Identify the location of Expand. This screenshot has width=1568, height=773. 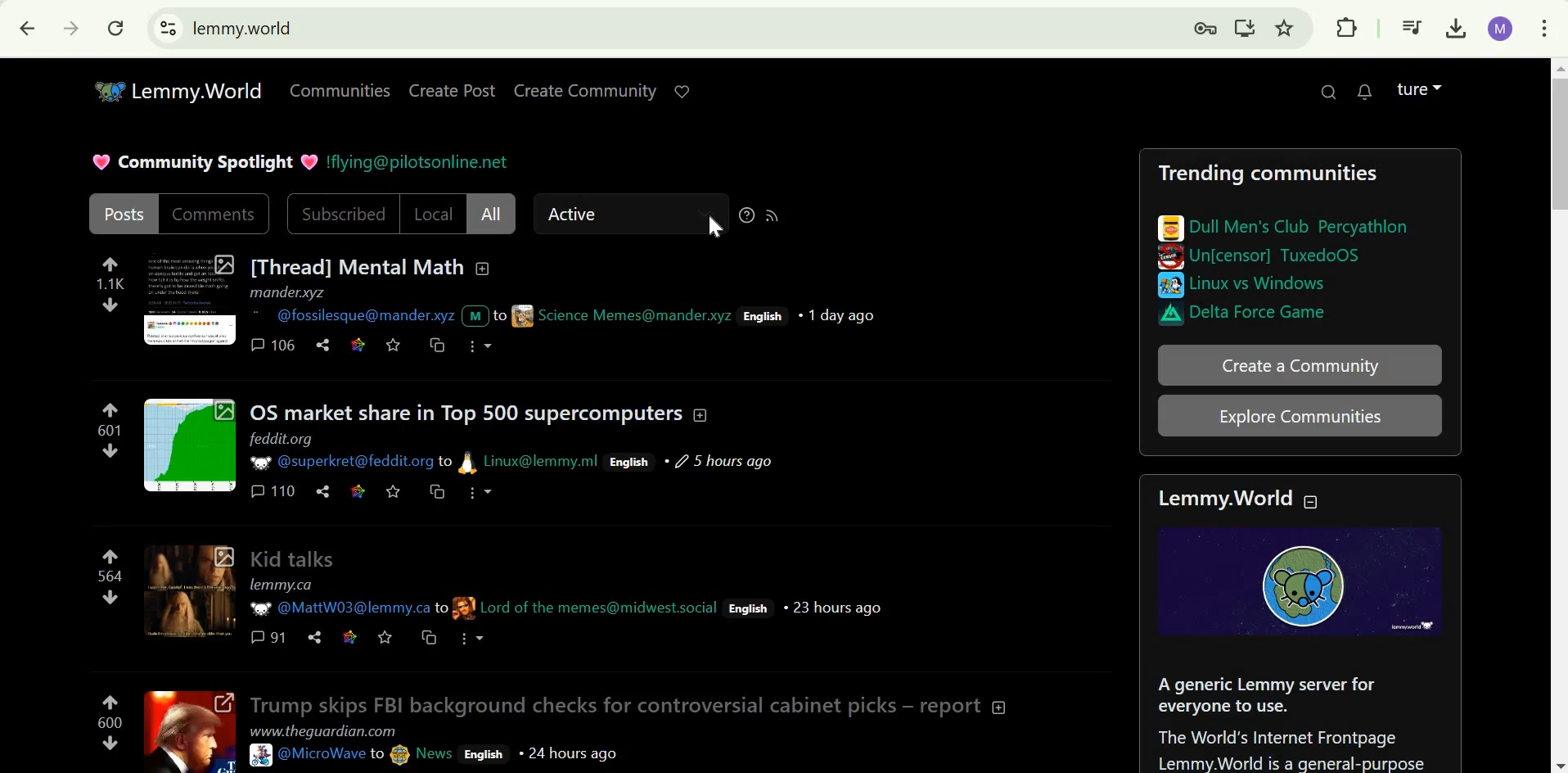
(191, 445).